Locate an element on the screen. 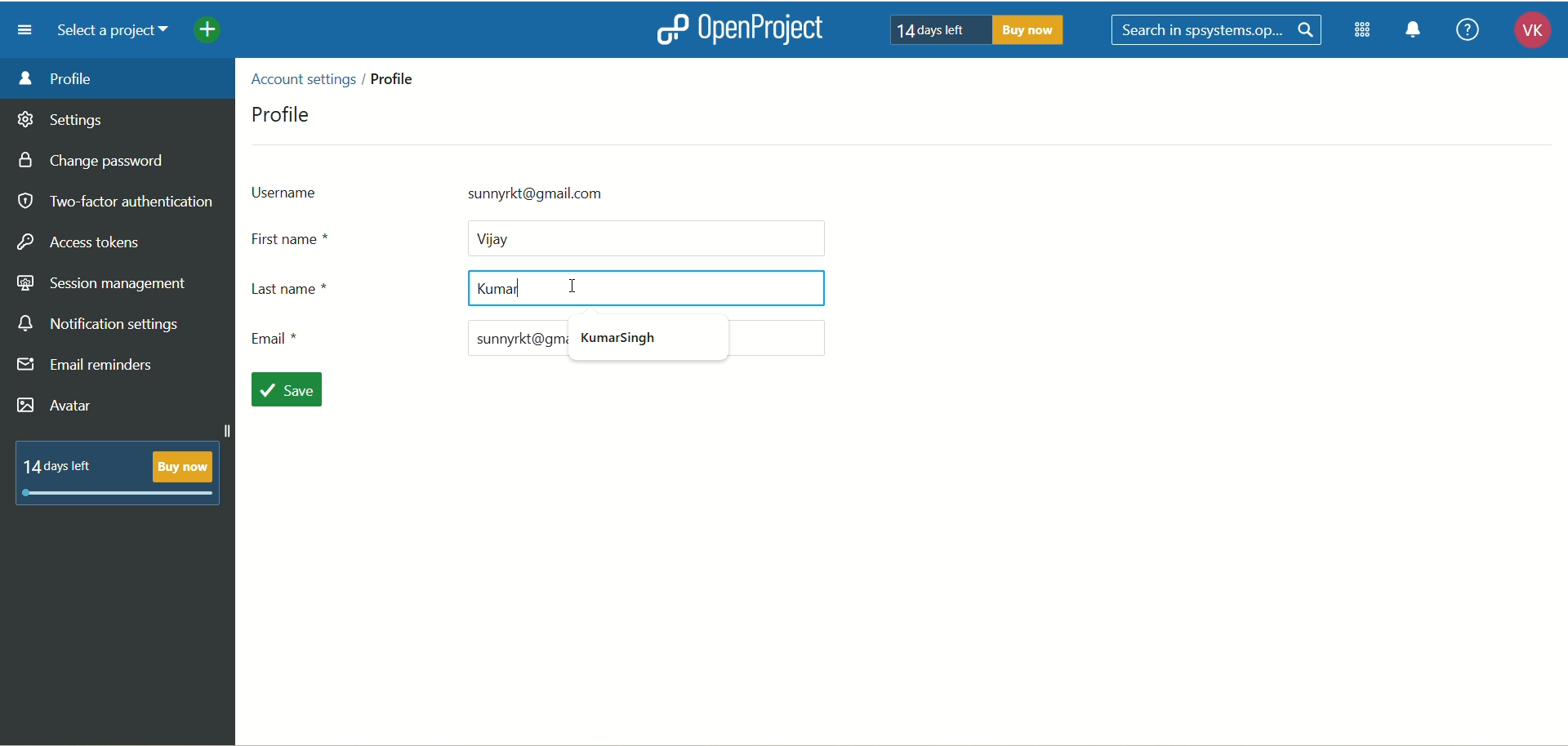  openproject is located at coordinates (770, 31).